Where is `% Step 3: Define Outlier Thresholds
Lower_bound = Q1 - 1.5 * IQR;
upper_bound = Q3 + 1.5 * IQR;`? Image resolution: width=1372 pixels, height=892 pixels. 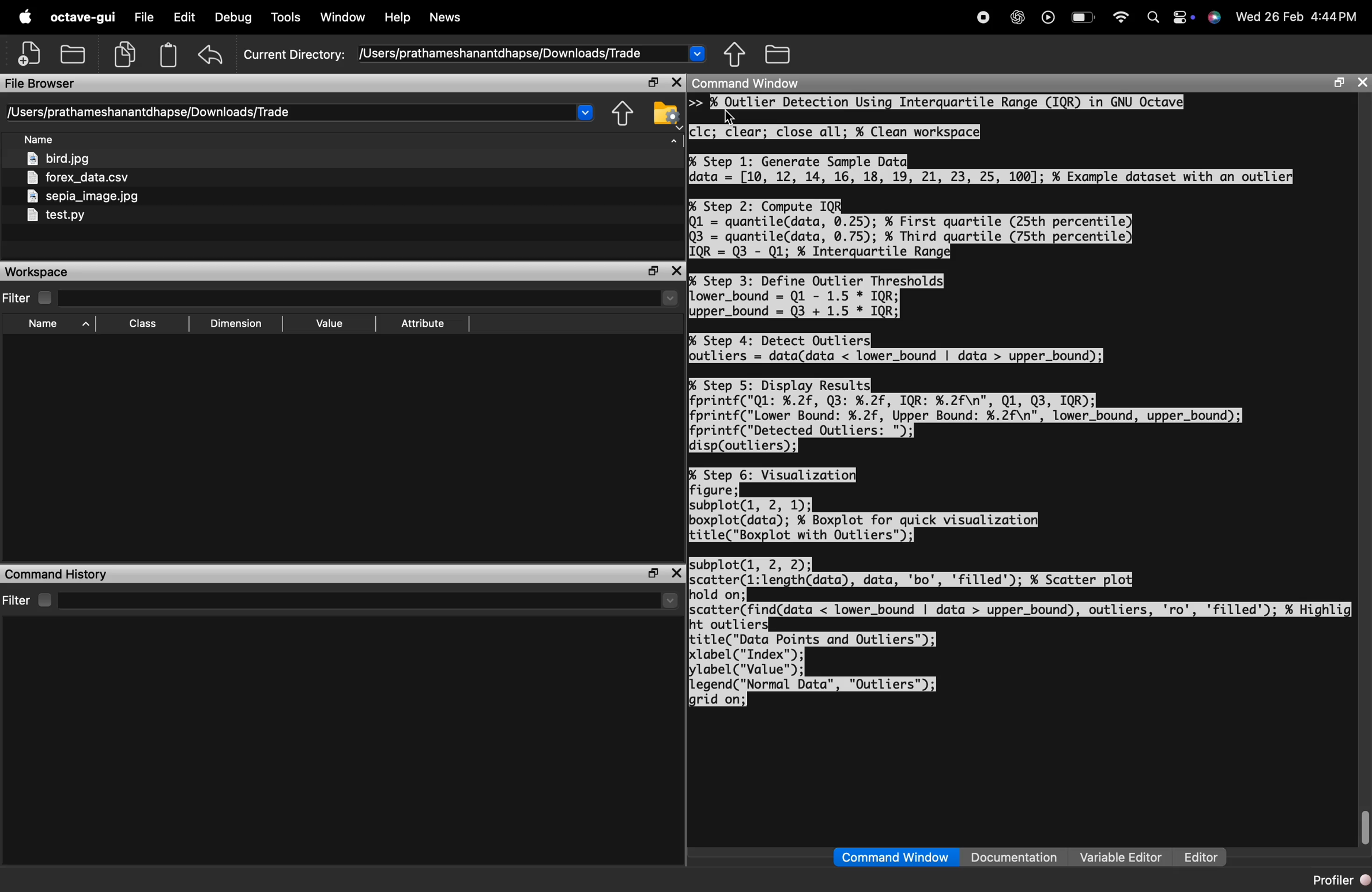
% Step 3: Define Outlier Thresholds
Lower_bound = Q1 - 1.5 * IQR;
upper_bound = Q3 + 1.5 * IQR; is located at coordinates (817, 296).